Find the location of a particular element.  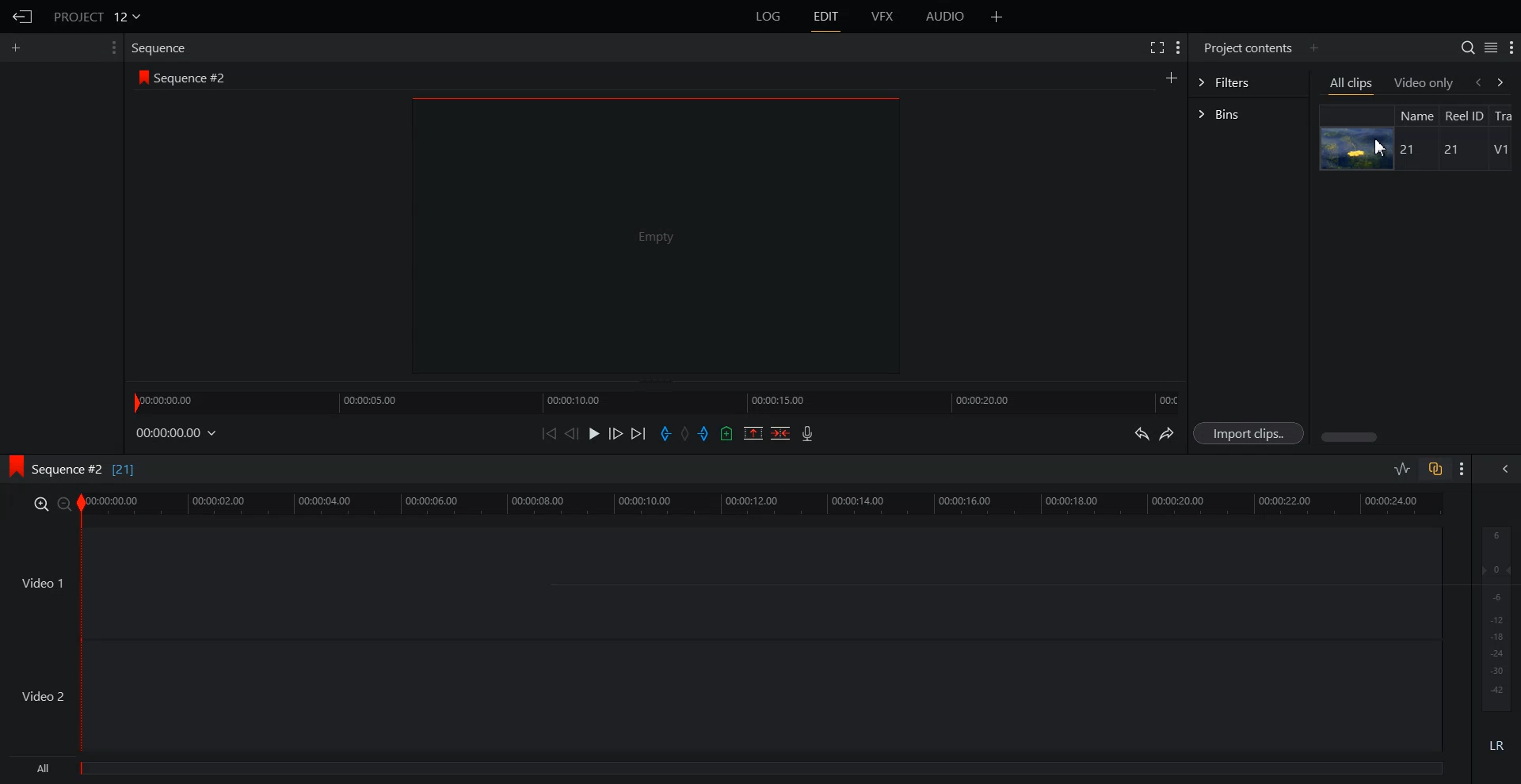

Toggle auto track sync is located at coordinates (1435, 468).